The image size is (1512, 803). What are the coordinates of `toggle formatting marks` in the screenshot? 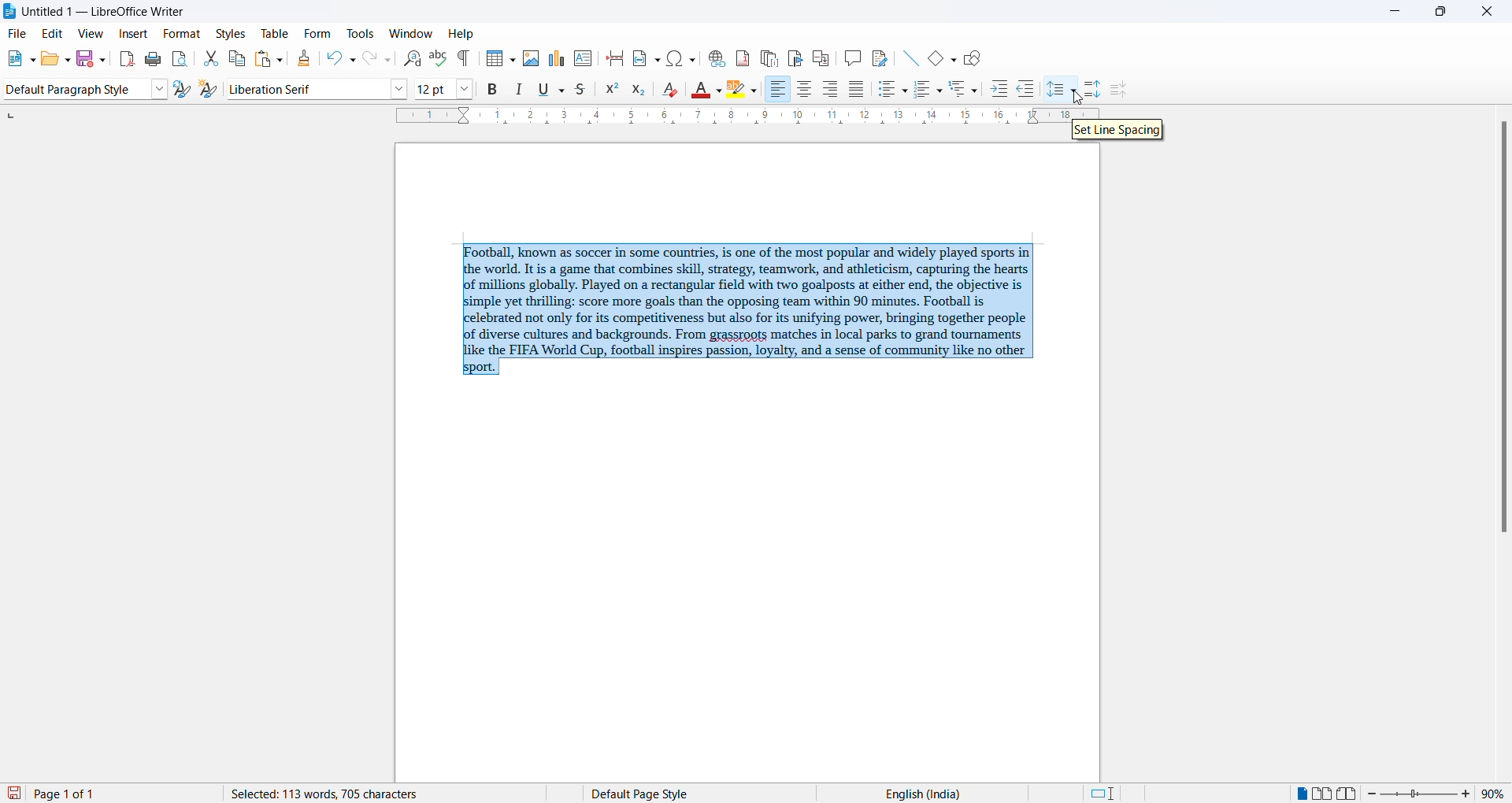 It's located at (465, 60).